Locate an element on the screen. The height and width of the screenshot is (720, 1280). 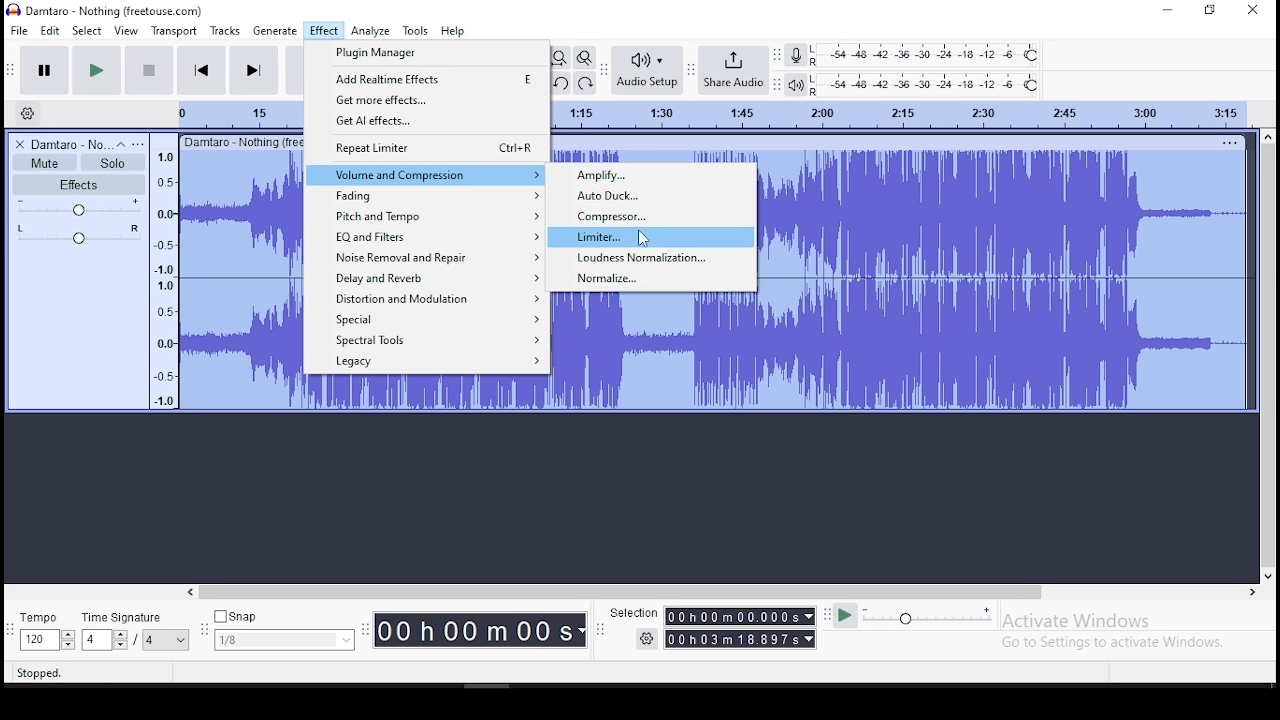
compressor is located at coordinates (654, 217).